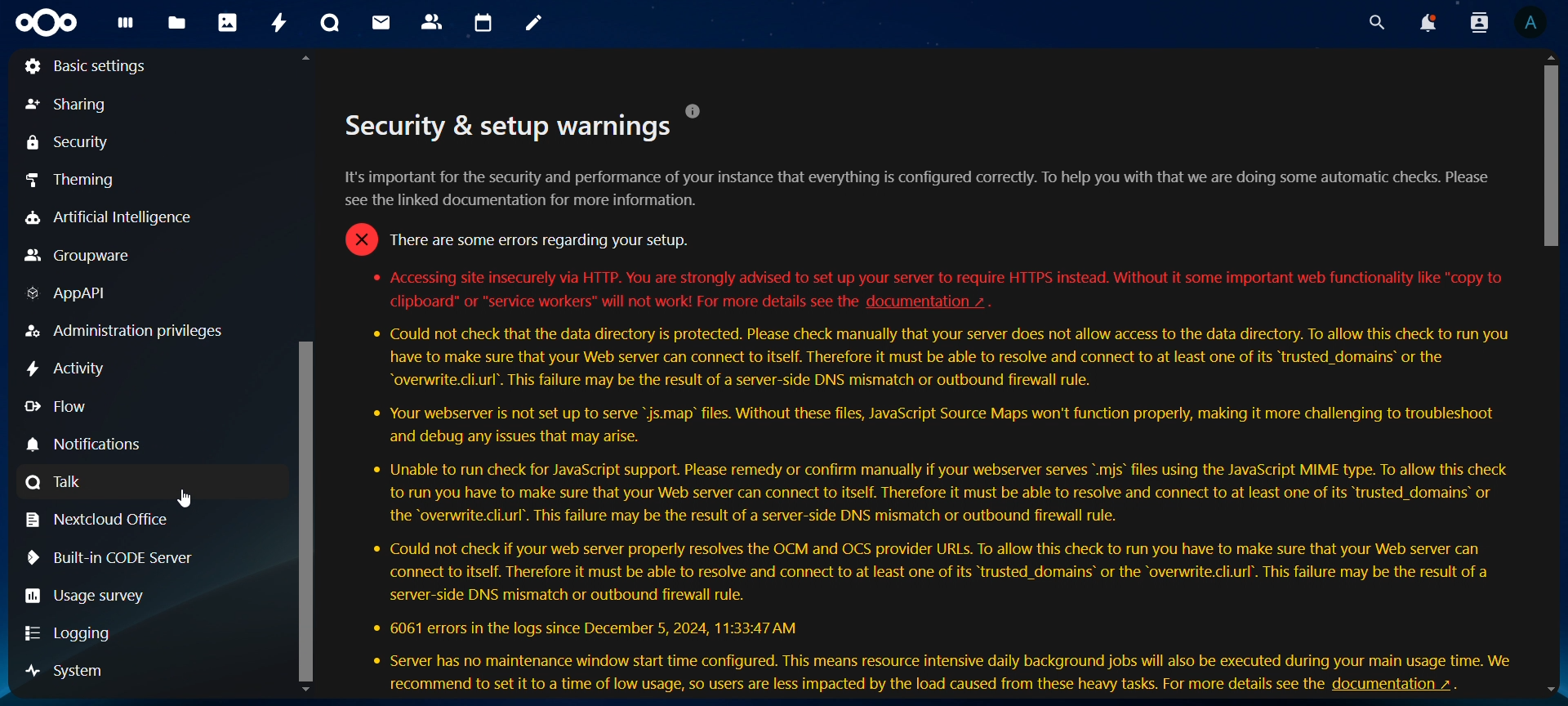 The width and height of the screenshot is (1568, 706). I want to click on security, so click(67, 143).